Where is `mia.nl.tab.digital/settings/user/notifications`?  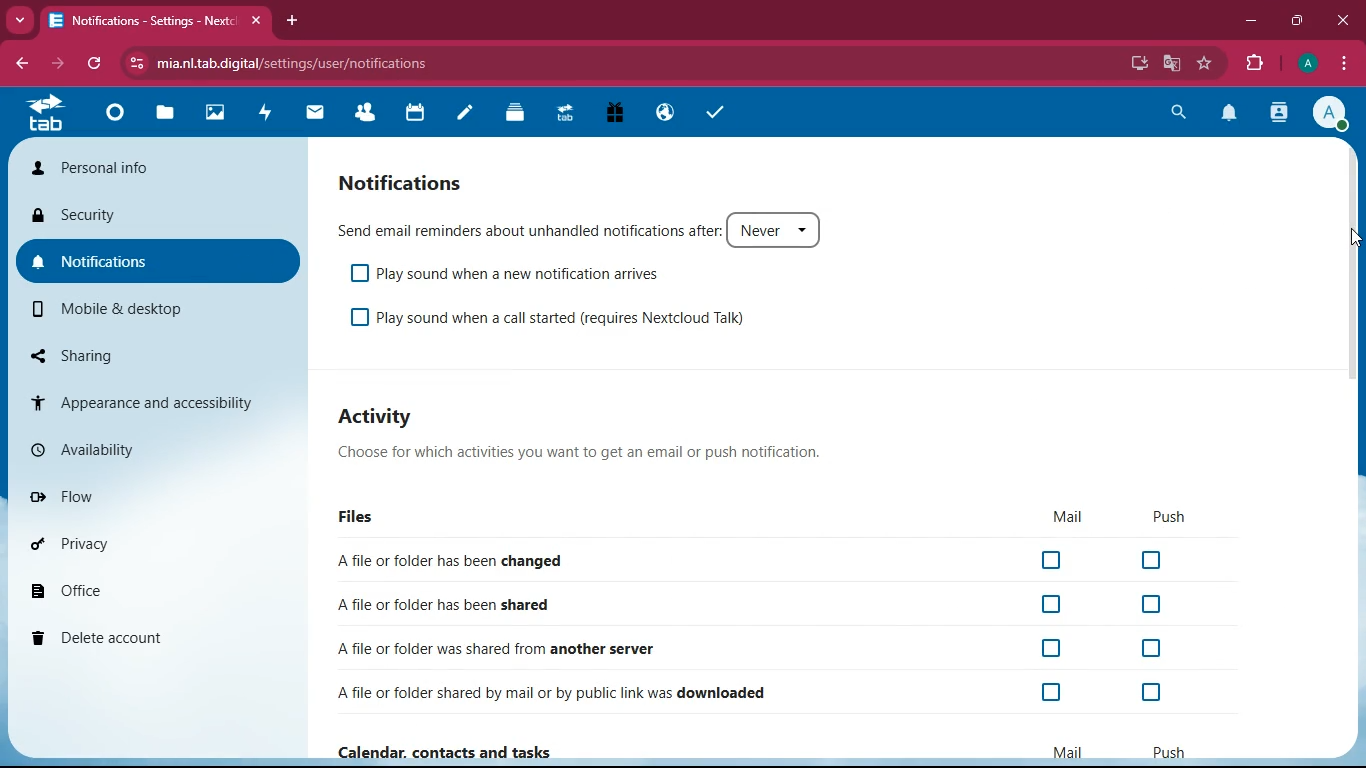
mia.nl.tab.digital/settings/user/notifications is located at coordinates (296, 65).